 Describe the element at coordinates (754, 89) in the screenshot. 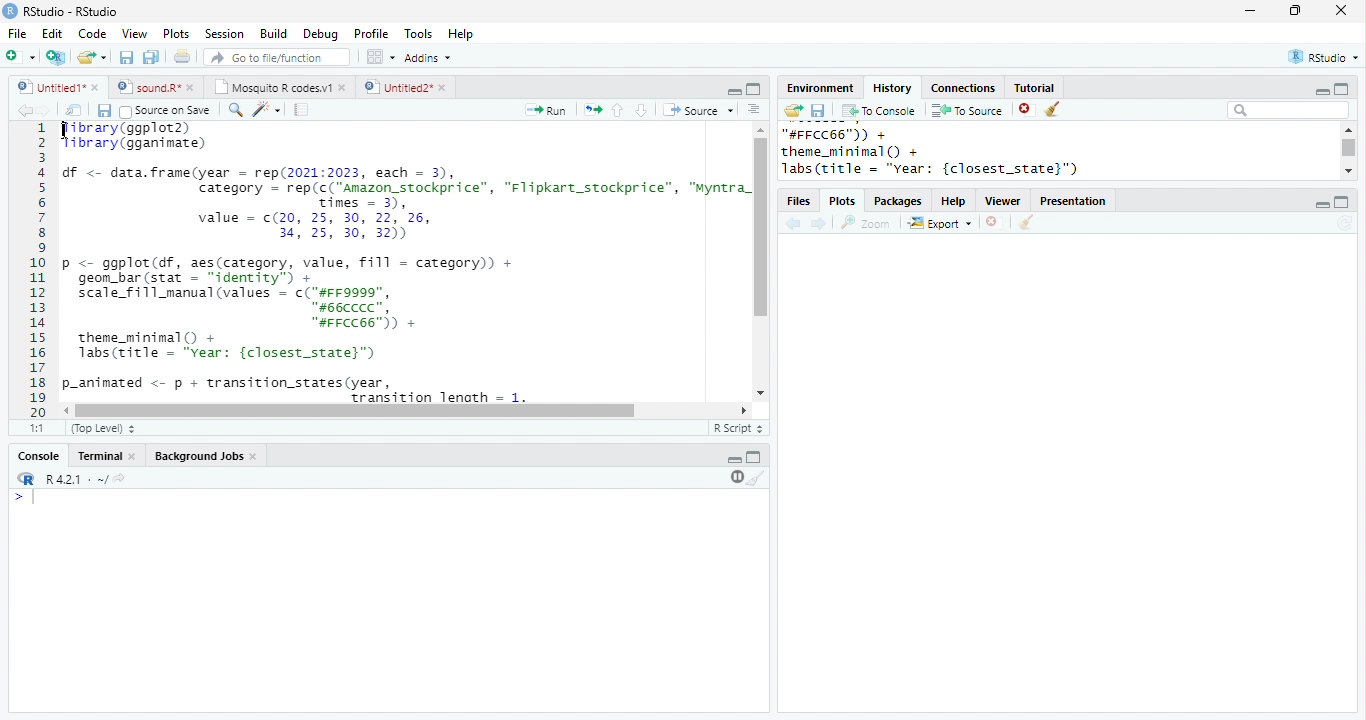

I see `Maximize` at that location.